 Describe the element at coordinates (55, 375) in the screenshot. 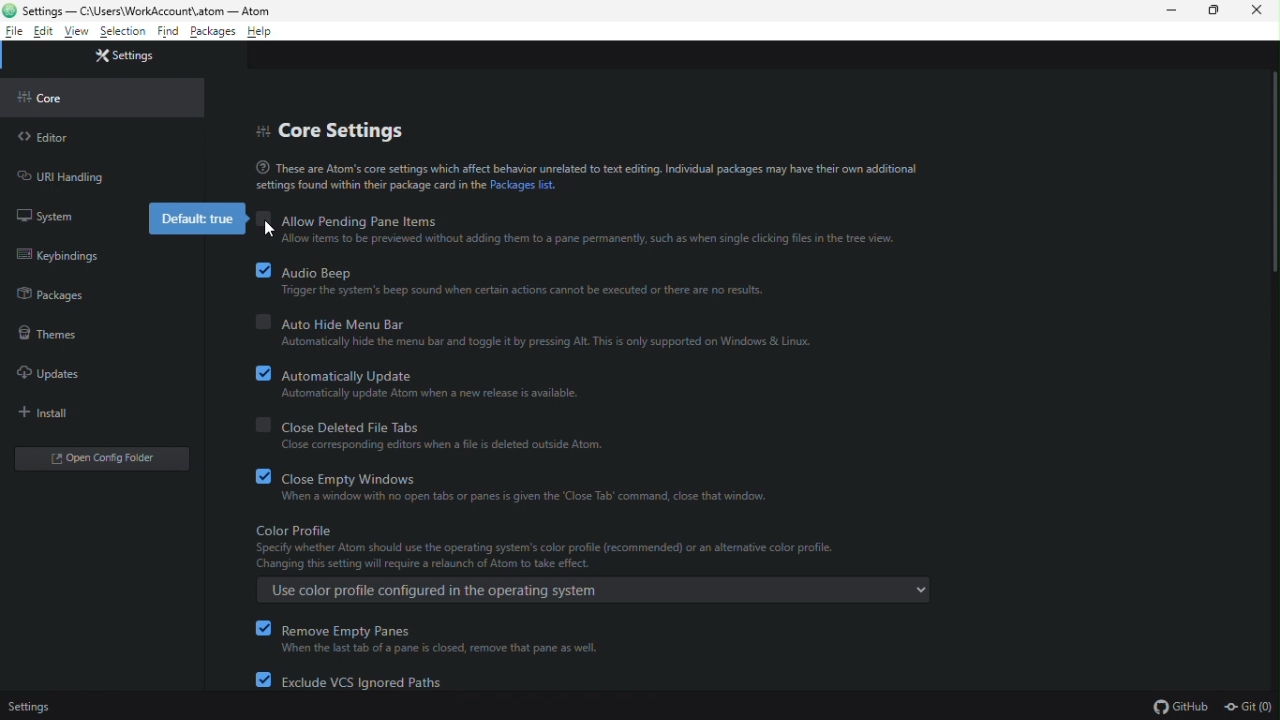

I see `updates` at that location.